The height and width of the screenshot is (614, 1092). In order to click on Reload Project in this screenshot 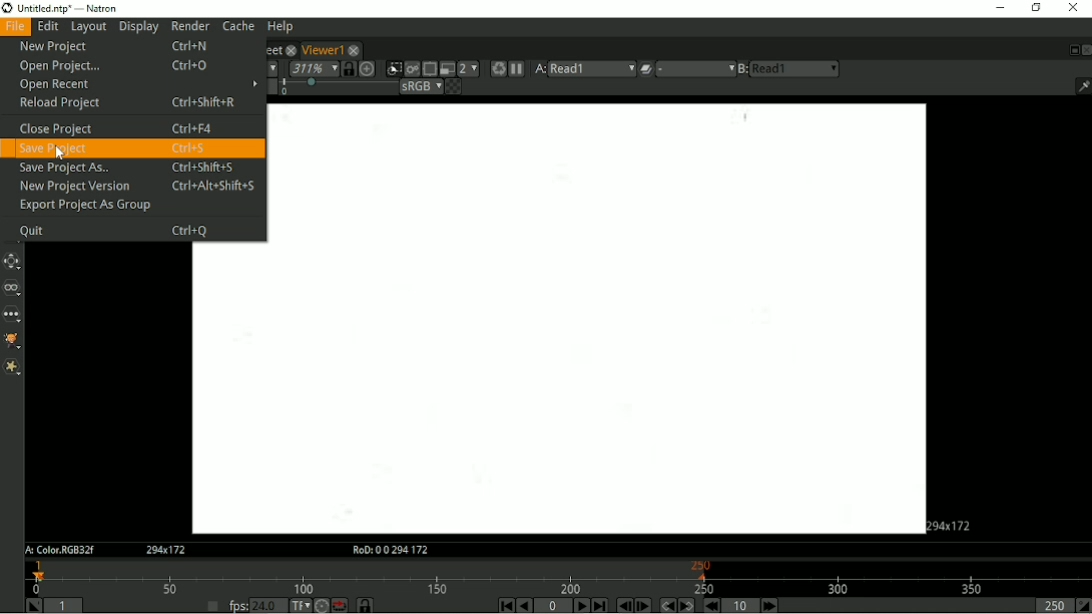, I will do `click(126, 103)`.